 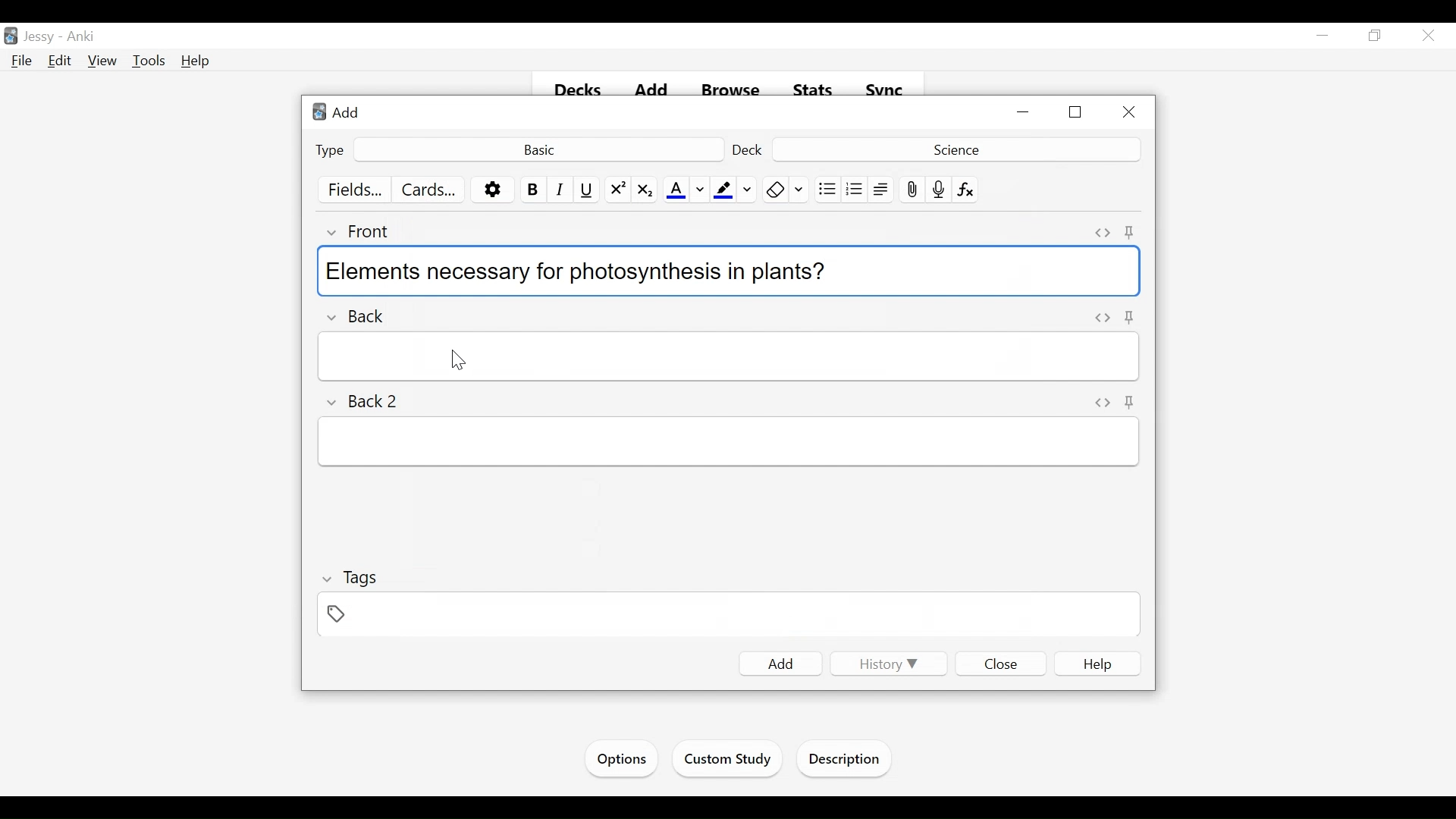 I want to click on Remove Formatting, so click(x=775, y=190).